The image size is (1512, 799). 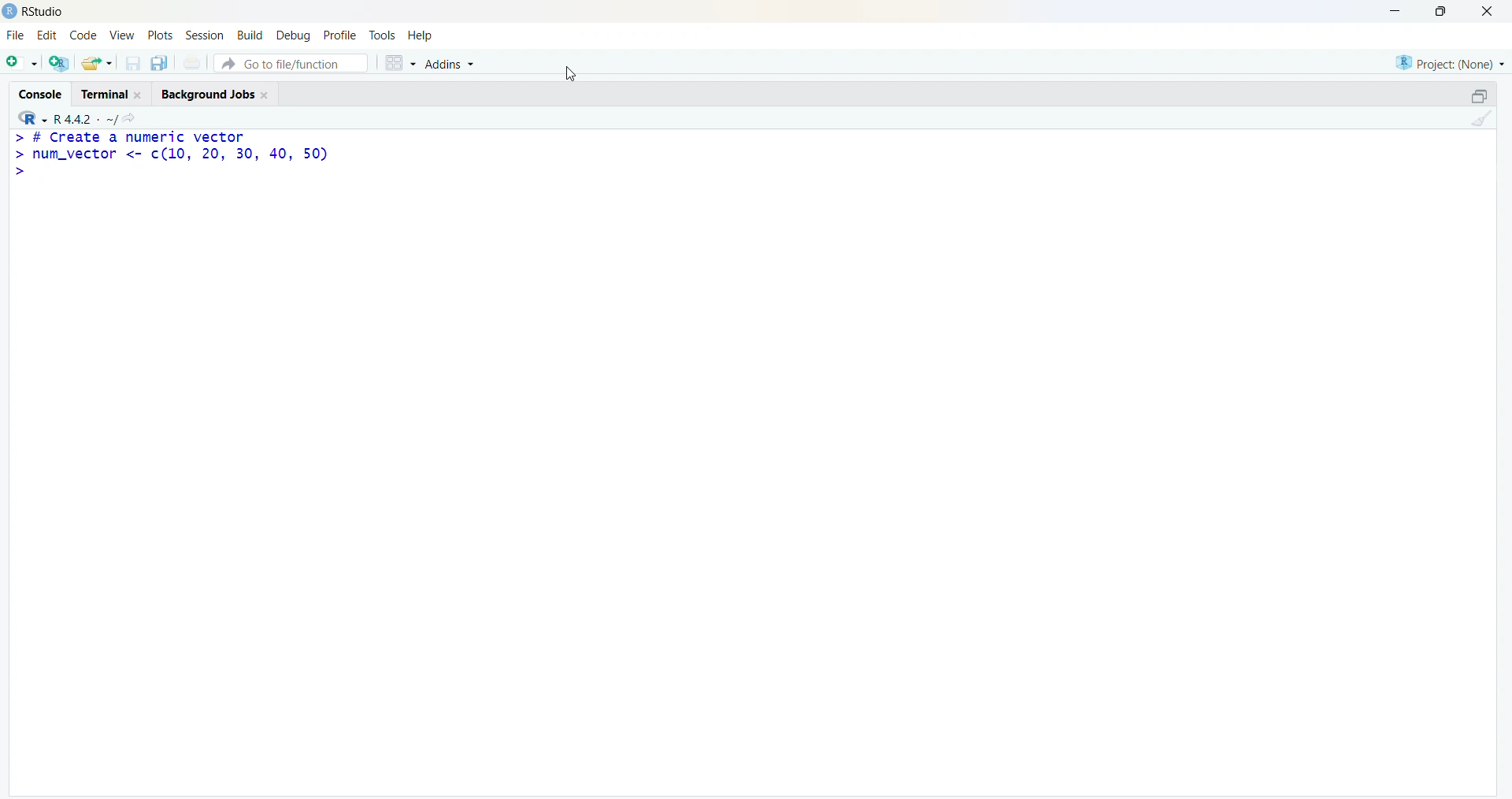 I want to click on session, so click(x=206, y=35).